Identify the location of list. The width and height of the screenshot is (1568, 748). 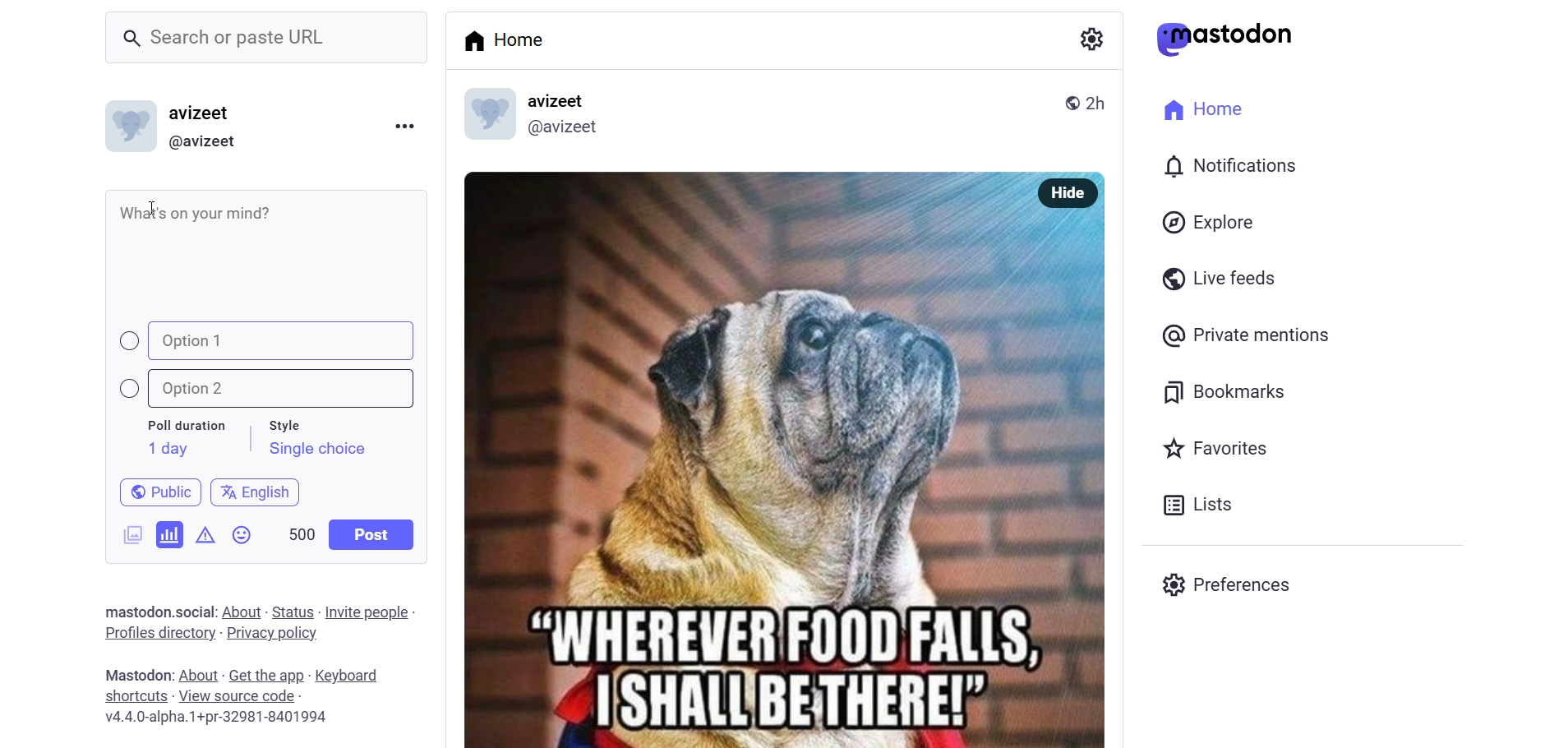
(1193, 505).